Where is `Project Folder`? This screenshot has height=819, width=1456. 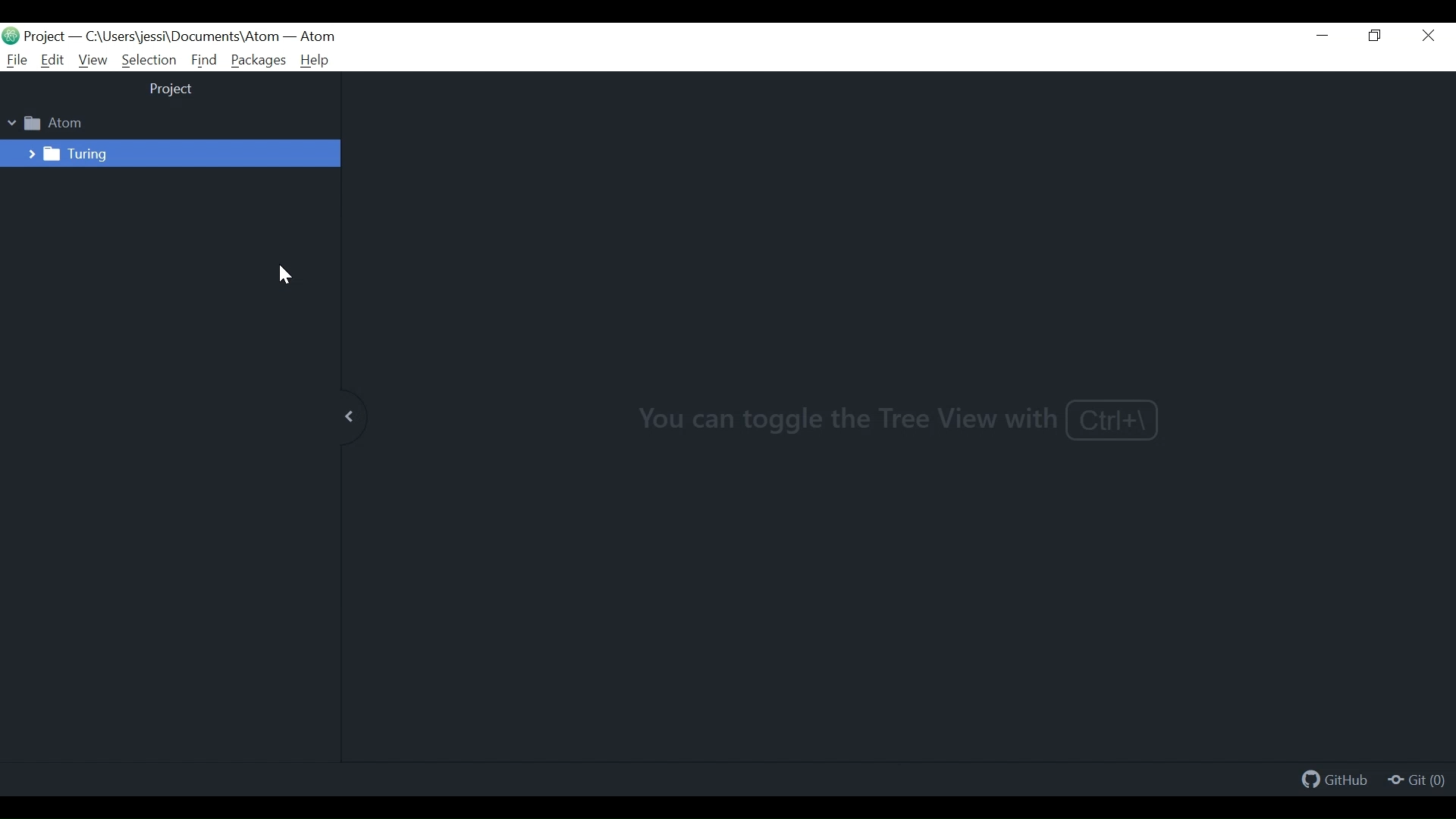 Project Folder is located at coordinates (53, 123).